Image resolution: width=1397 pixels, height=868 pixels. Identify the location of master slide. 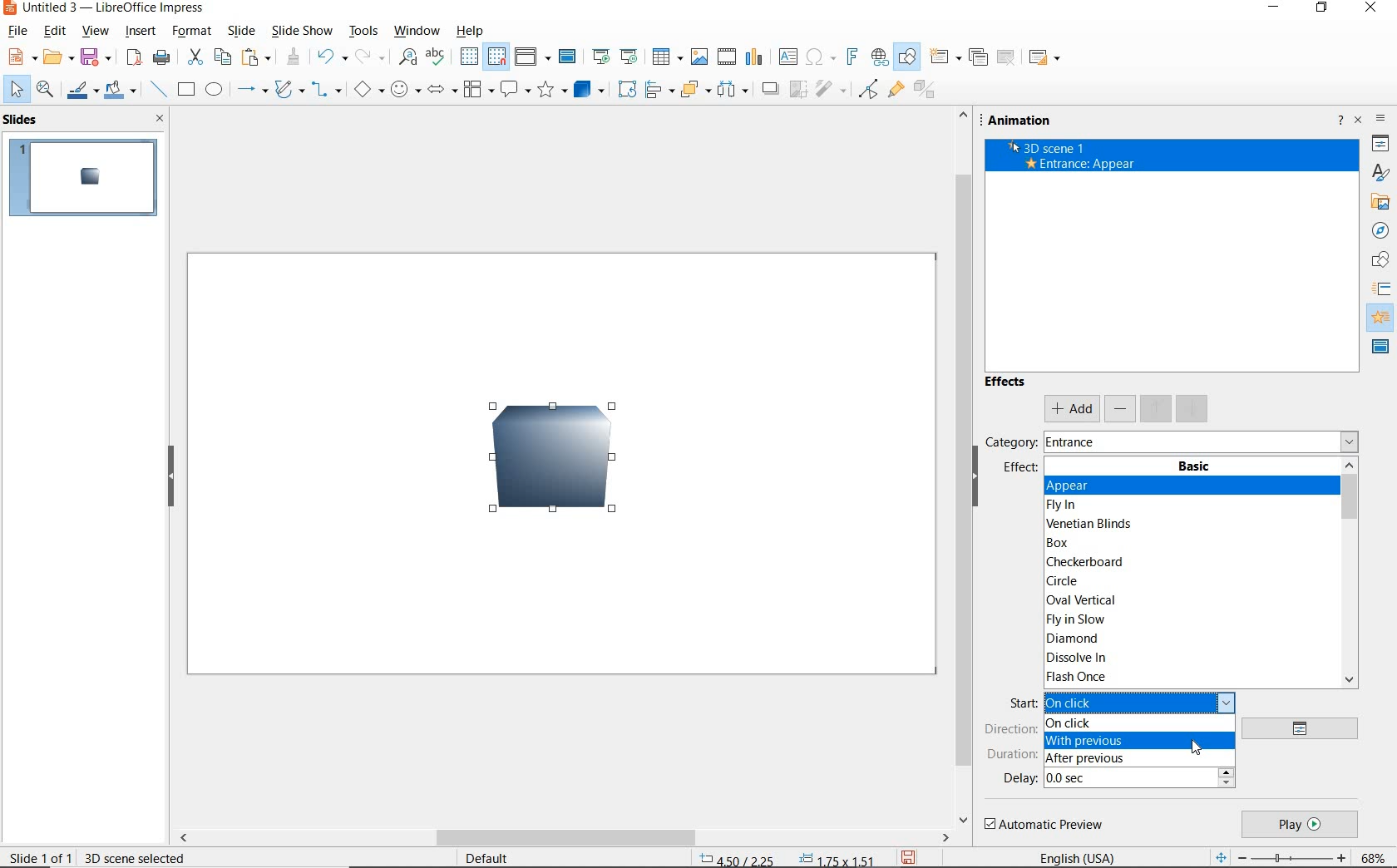
(570, 57).